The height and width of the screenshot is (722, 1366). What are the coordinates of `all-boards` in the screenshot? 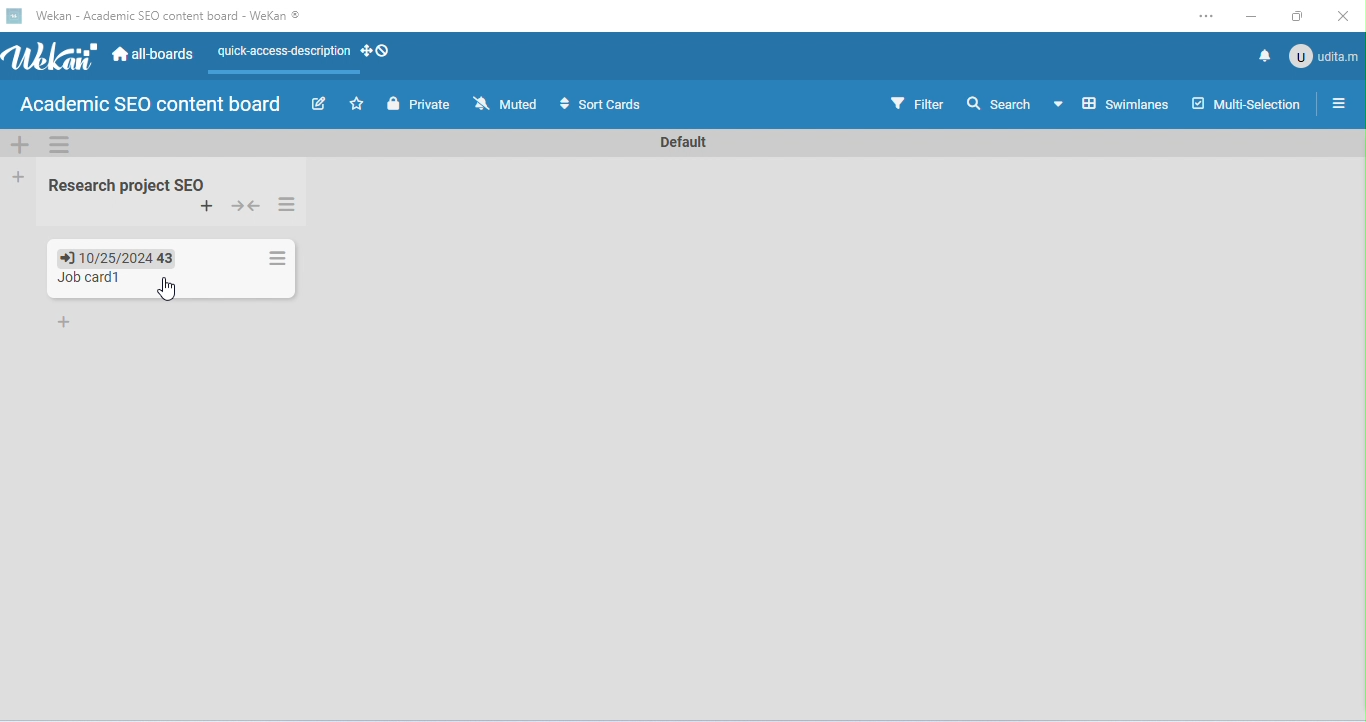 It's located at (153, 52).